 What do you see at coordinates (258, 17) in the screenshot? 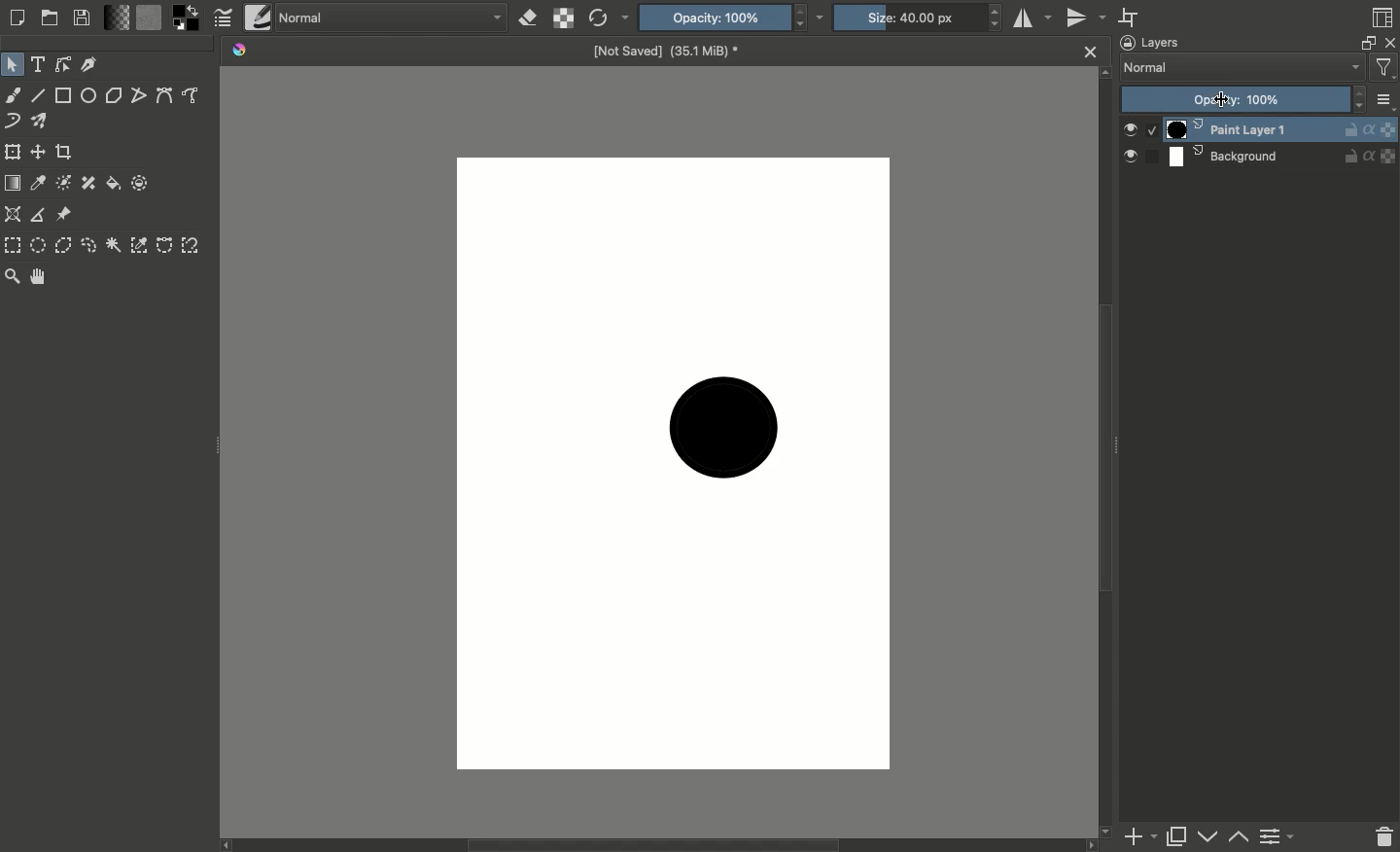
I see `Brush` at bounding box center [258, 17].